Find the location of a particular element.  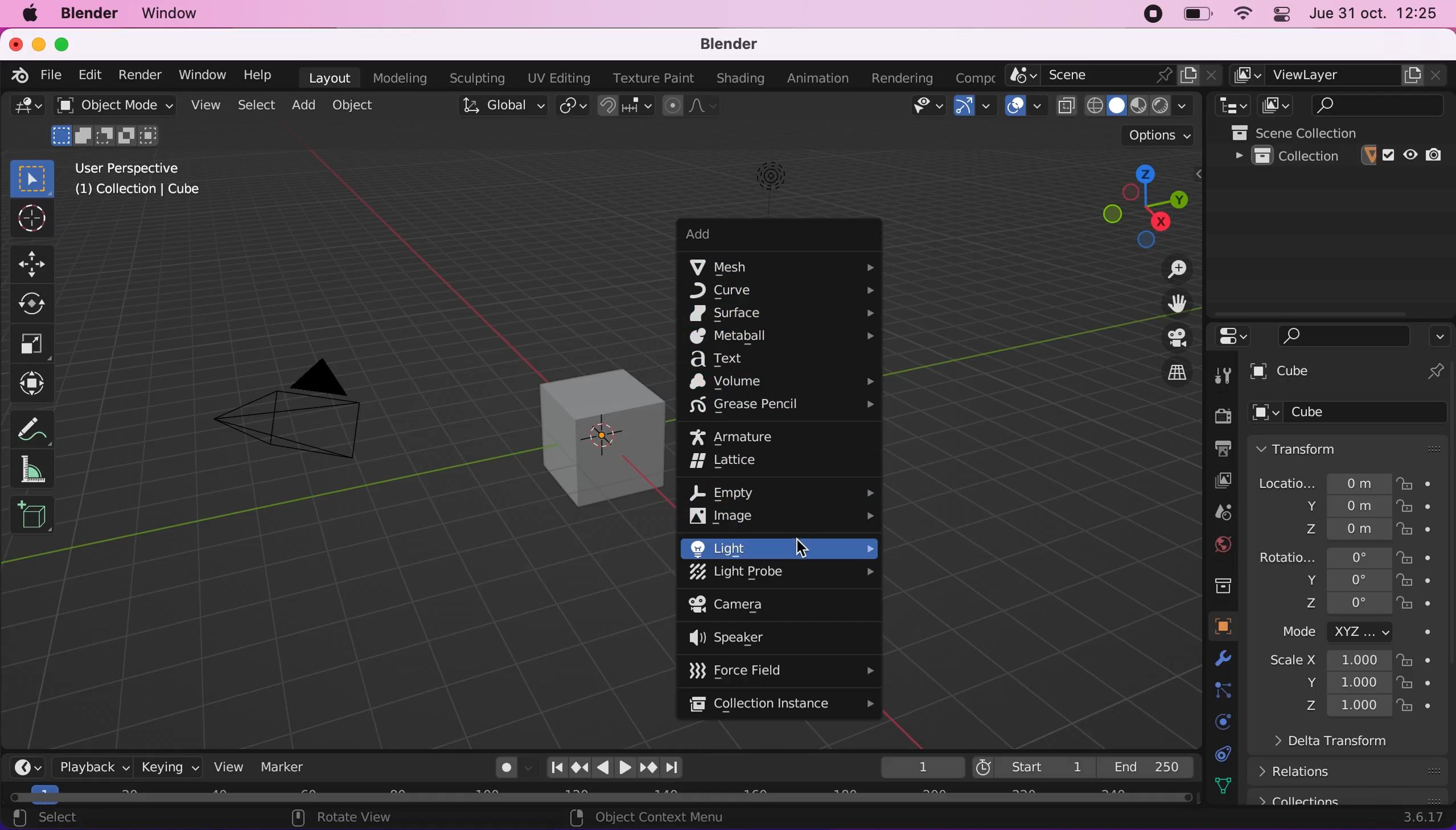

pin is located at coordinates (1435, 373).